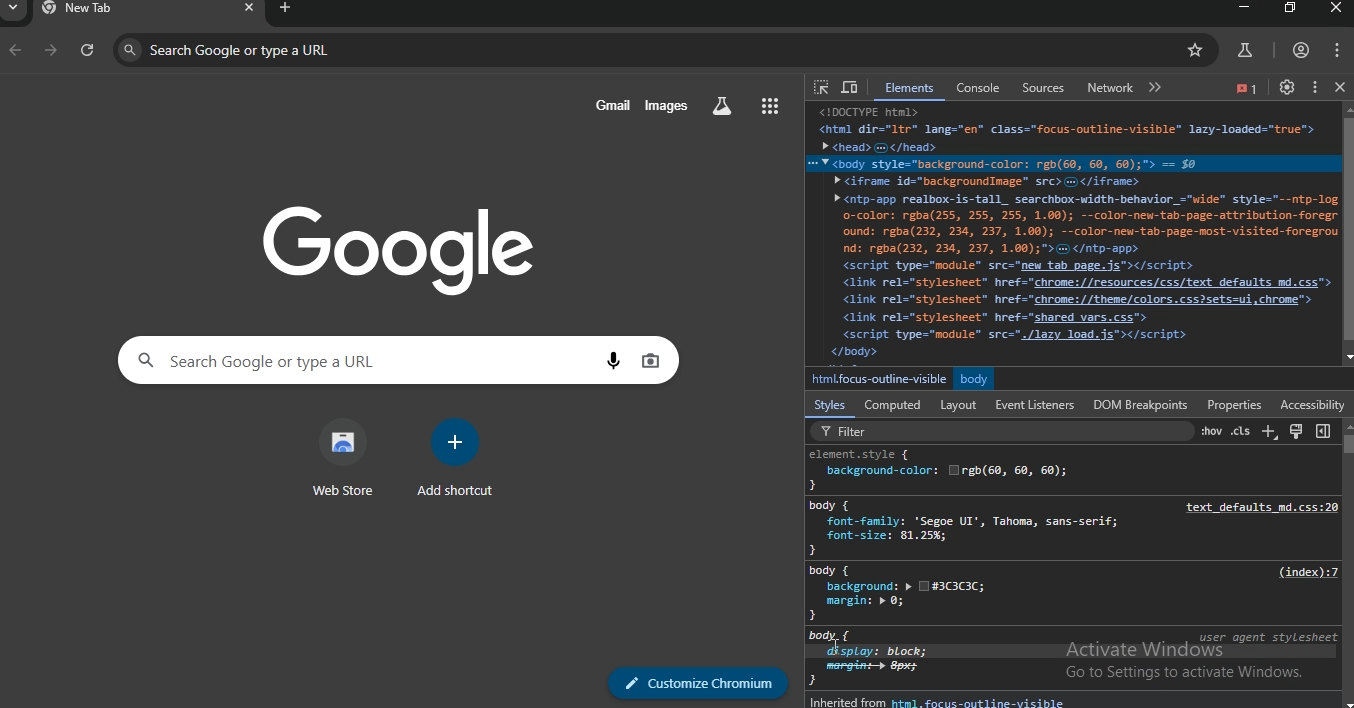 The height and width of the screenshot is (708, 1354). What do you see at coordinates (1211, 434) in the screenshot?
I see `toggle element state` at bounding box center [1211, 434].